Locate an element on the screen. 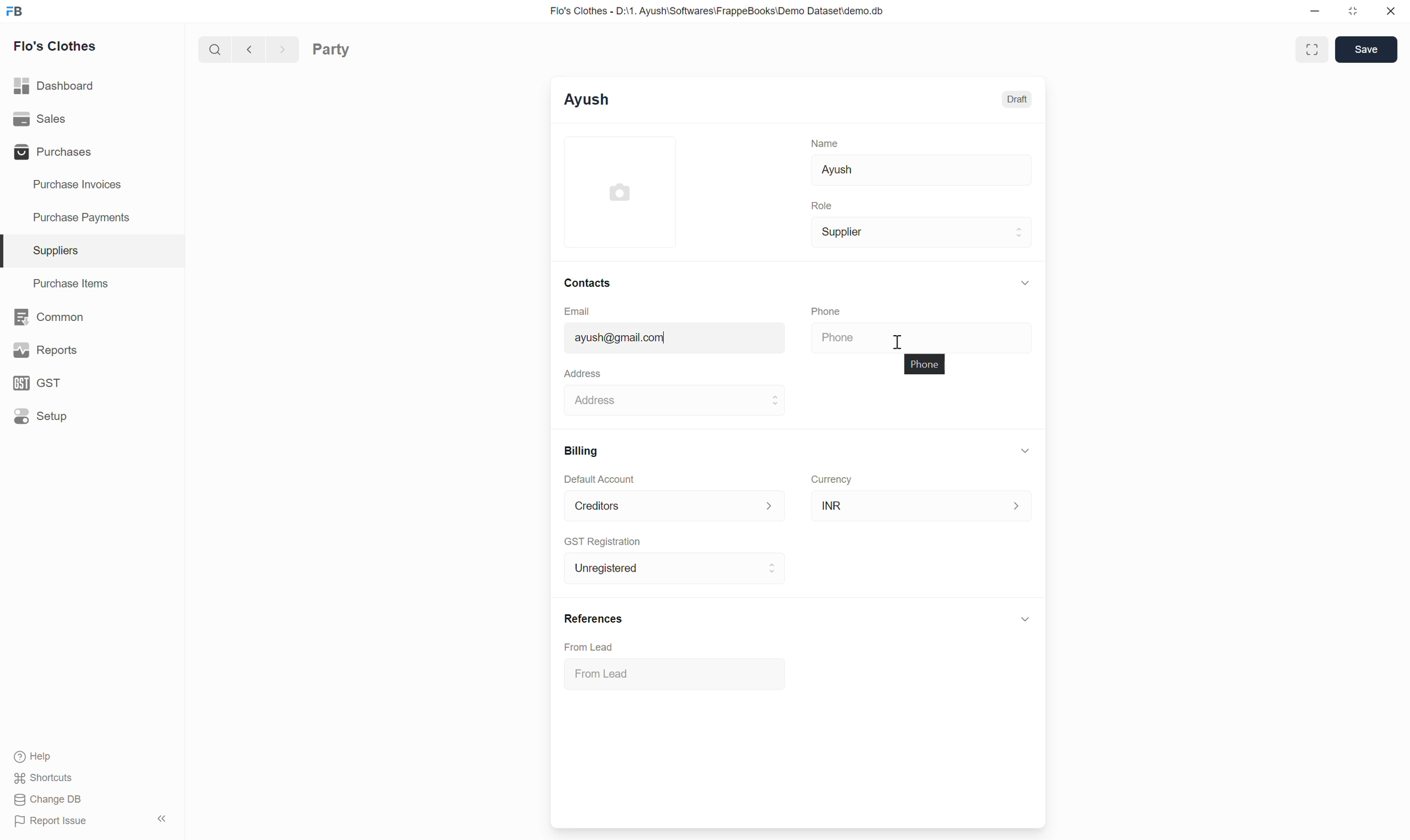 This screenshot has width=1410, height=840. Phone is located at coordinates (921, 338).